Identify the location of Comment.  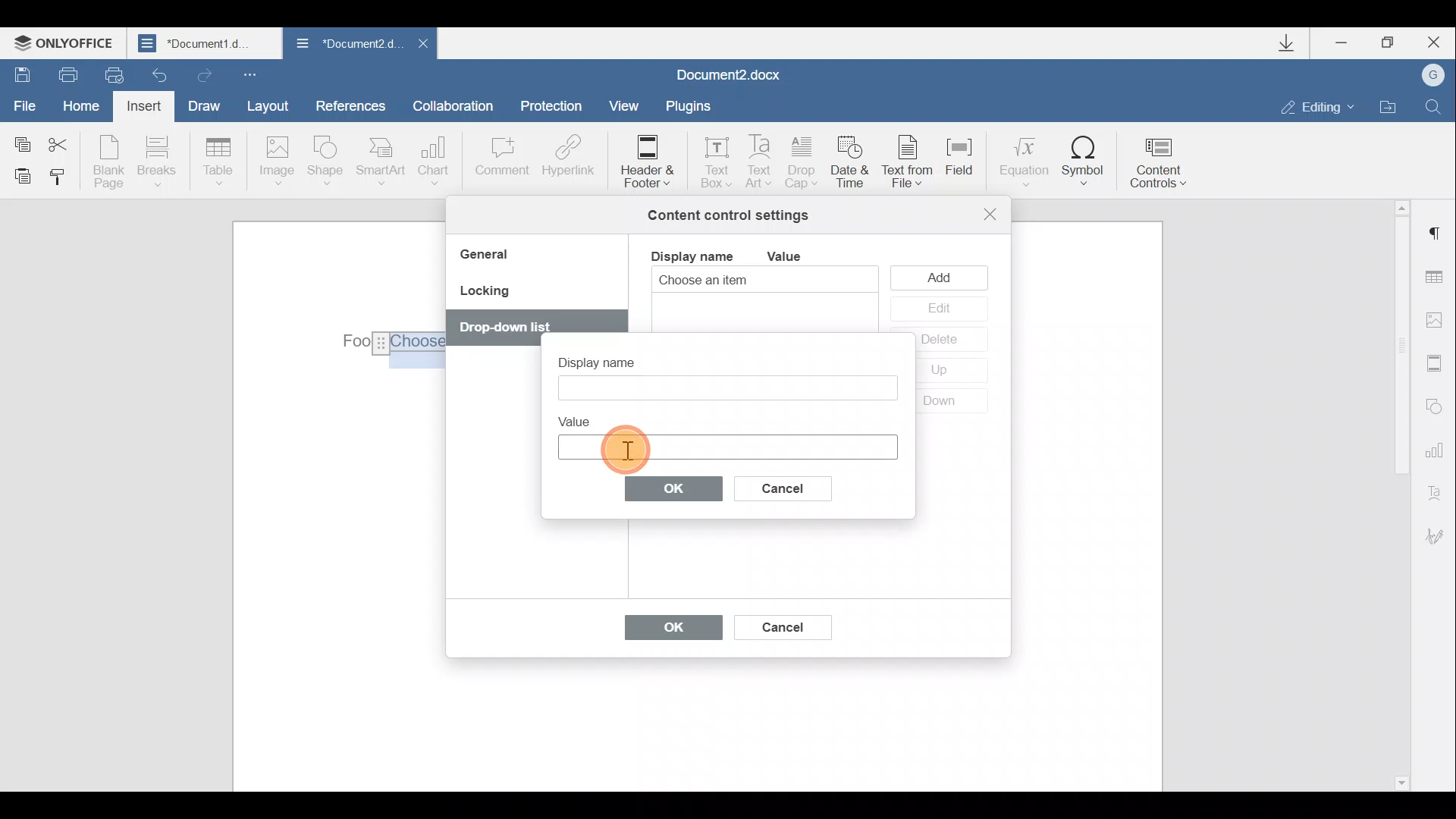
(501, 164).